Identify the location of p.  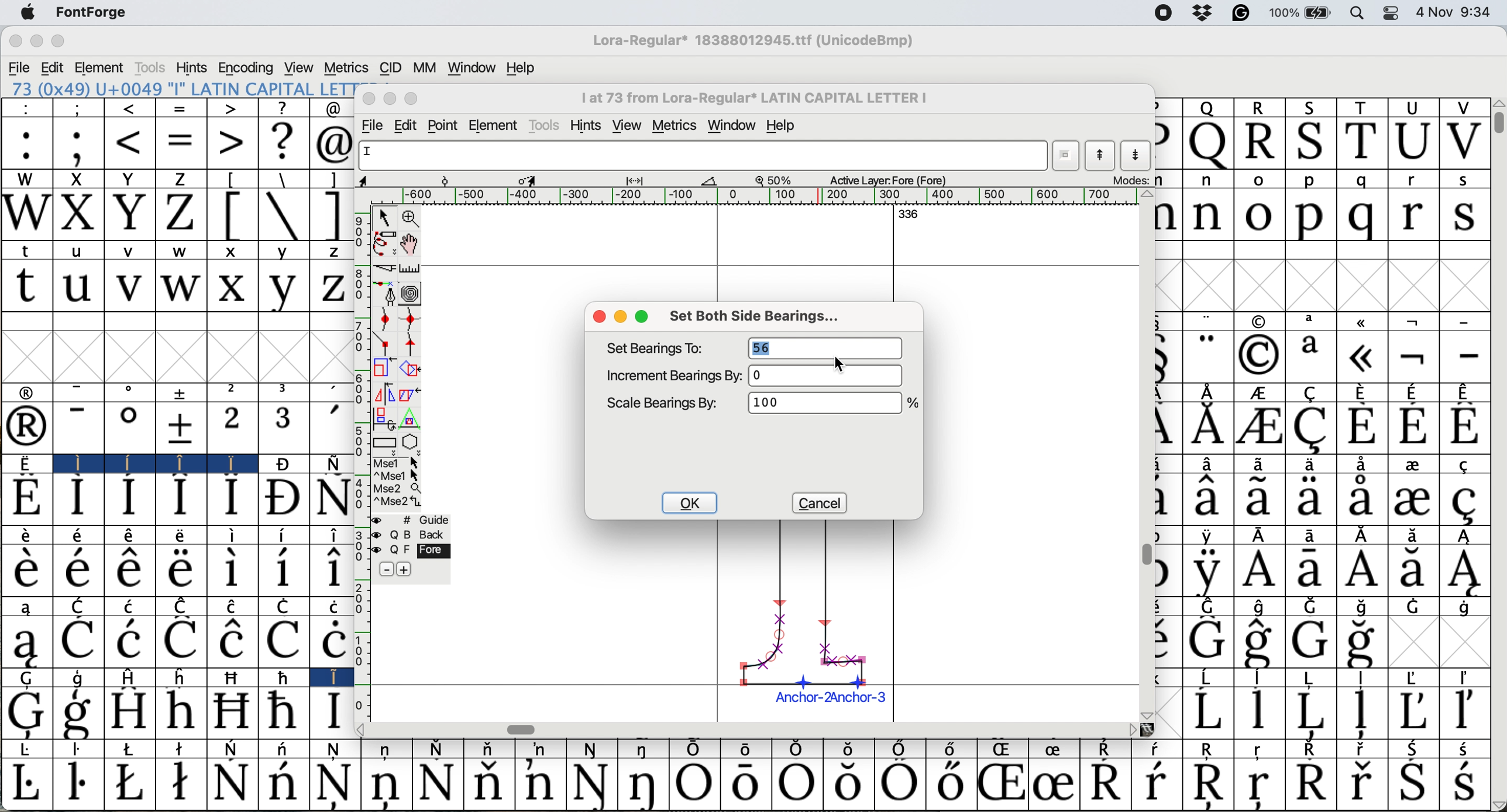
(1310, 181).